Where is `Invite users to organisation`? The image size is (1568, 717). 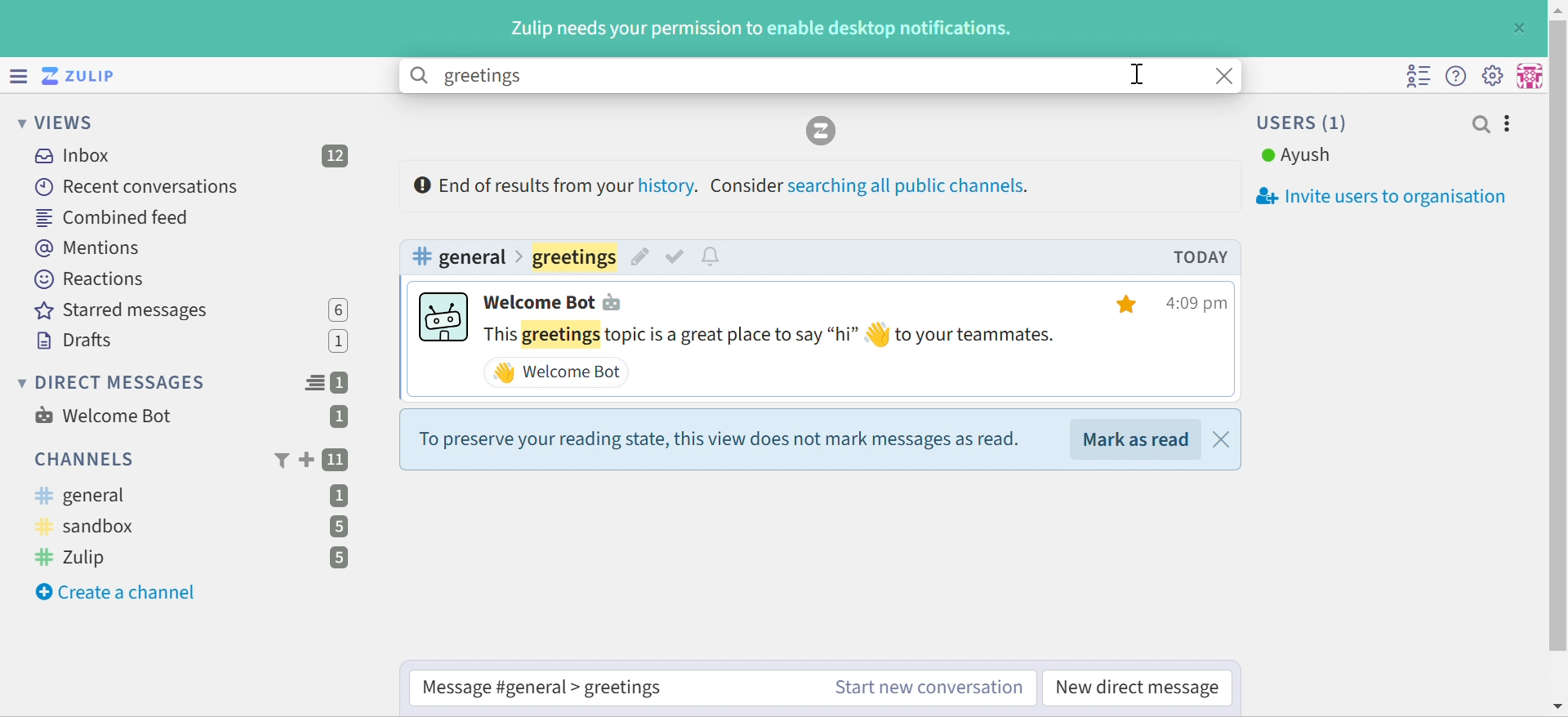
Invite users to organisation is located at coordinates (1373, 197).